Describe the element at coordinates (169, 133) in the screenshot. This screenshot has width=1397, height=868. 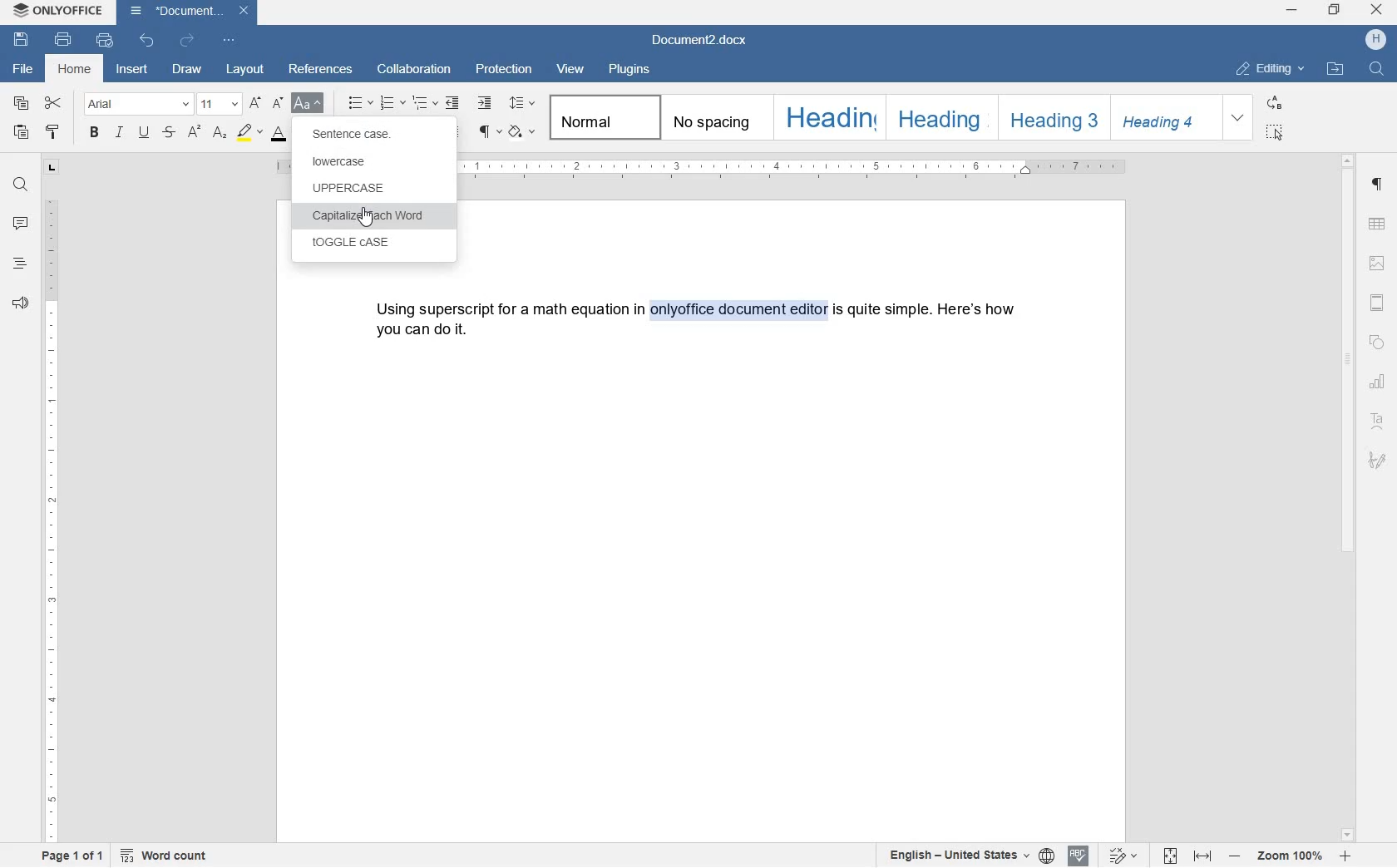
I see `strikethrough` at that location.